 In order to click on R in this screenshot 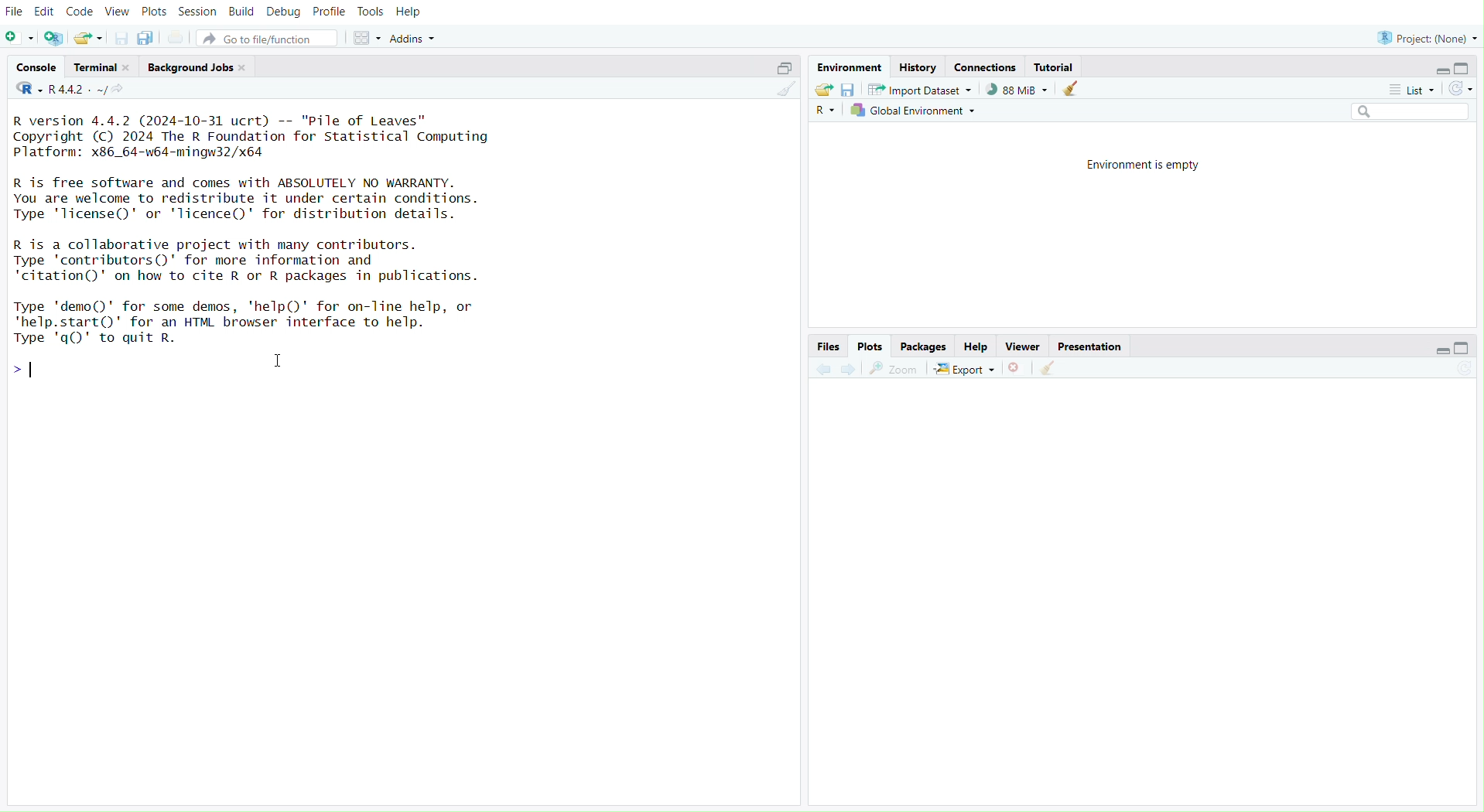, I will do `click(26, 93)`.